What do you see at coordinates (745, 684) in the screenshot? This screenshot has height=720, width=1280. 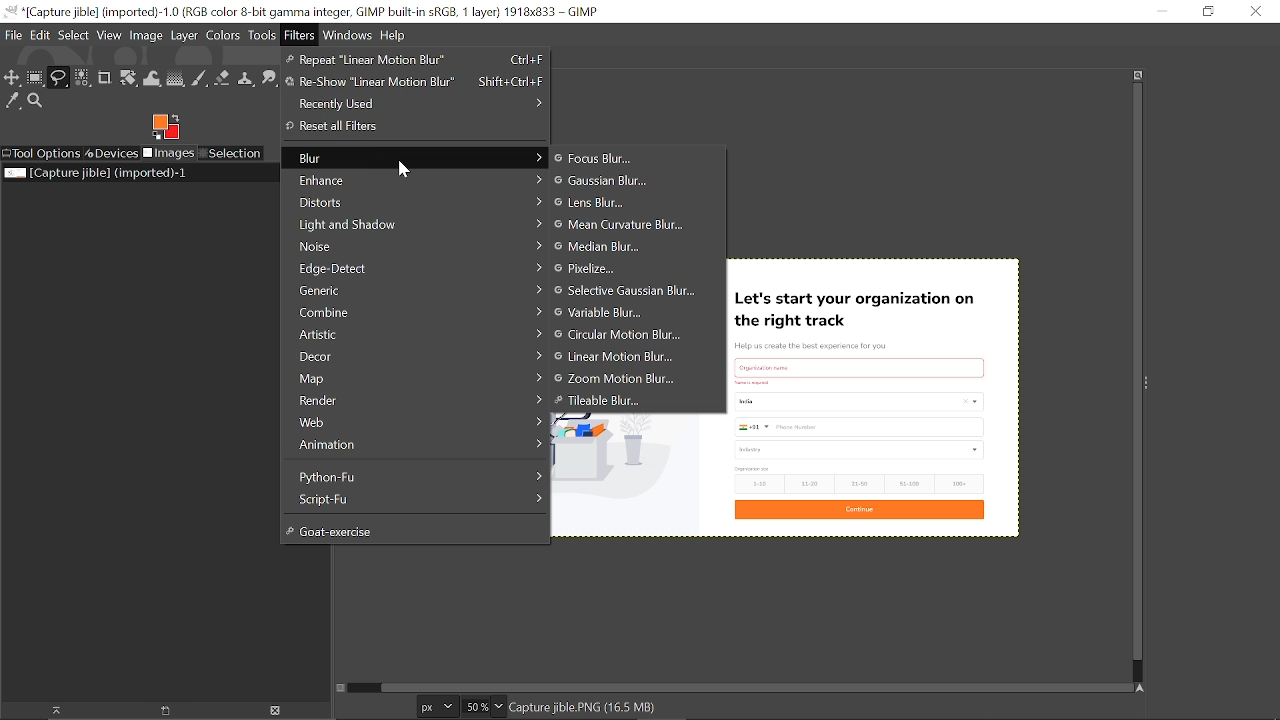 I see `Horizontal scrollbar` at bounding box center [745, 684].